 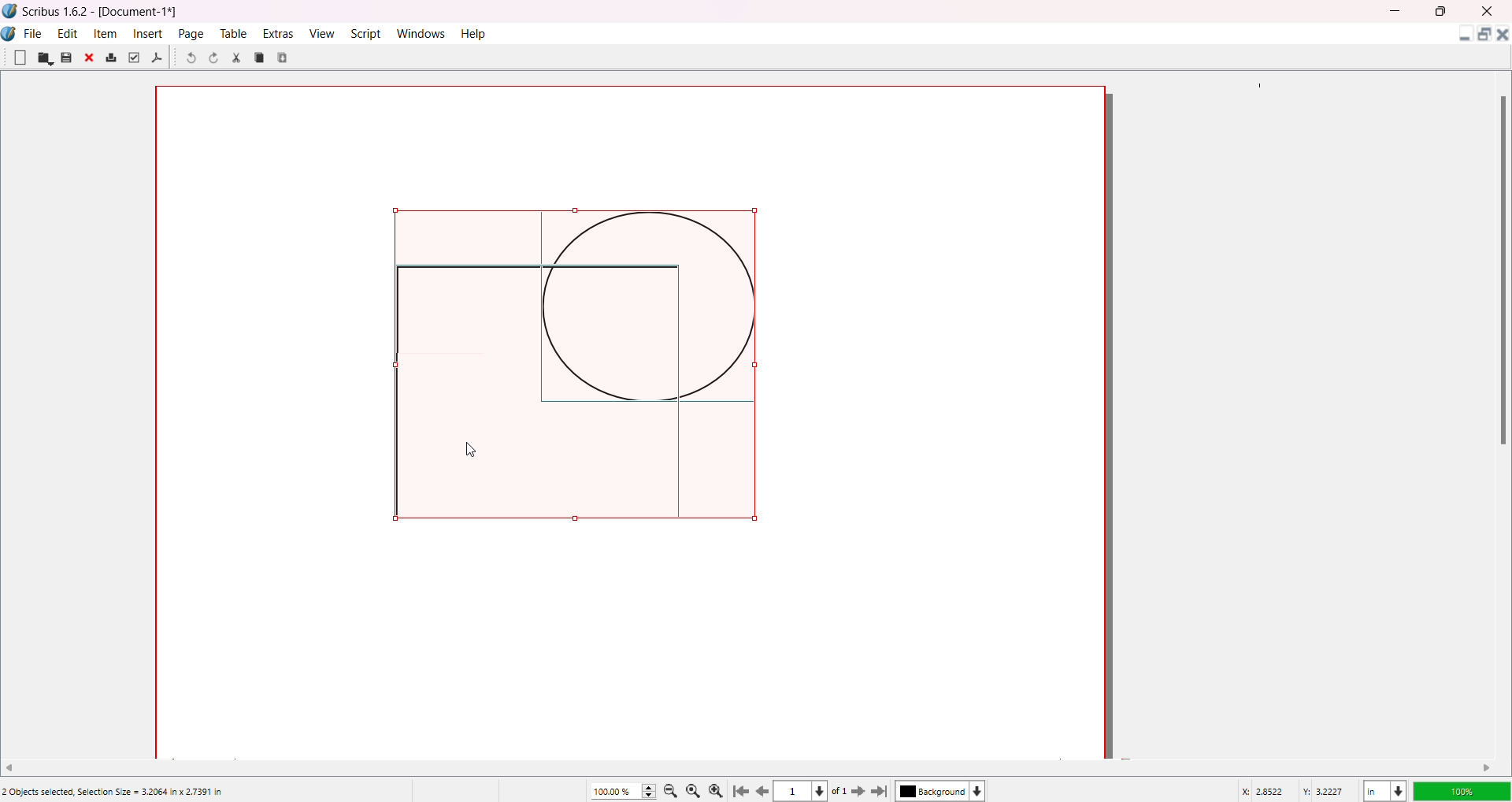 What do you see at coordinates (232, 33) in the screenshot?
I see `Table` at bounding box center [232, 33].